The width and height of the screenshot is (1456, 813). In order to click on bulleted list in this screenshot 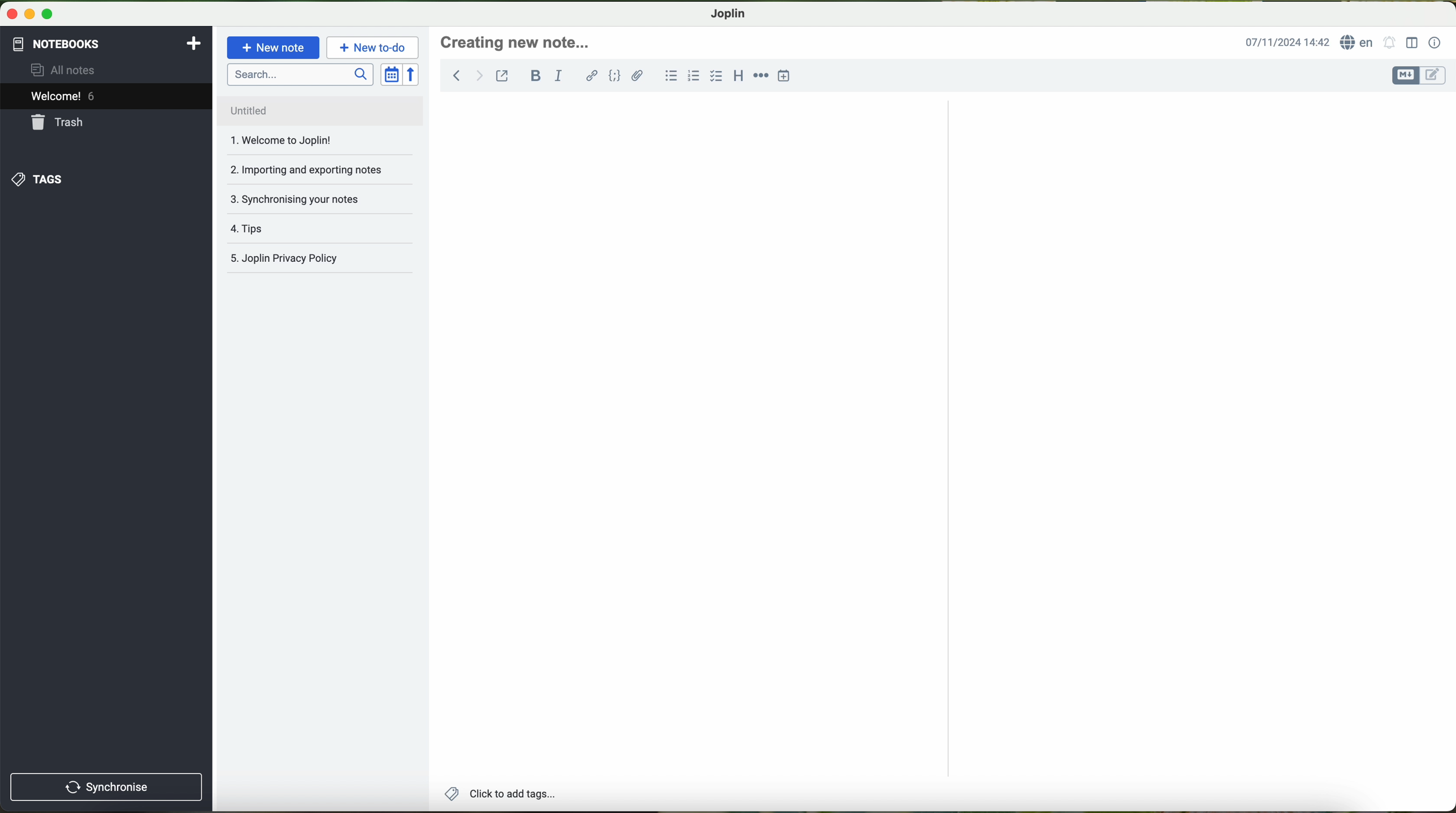, I will do `click(670, 77)`.